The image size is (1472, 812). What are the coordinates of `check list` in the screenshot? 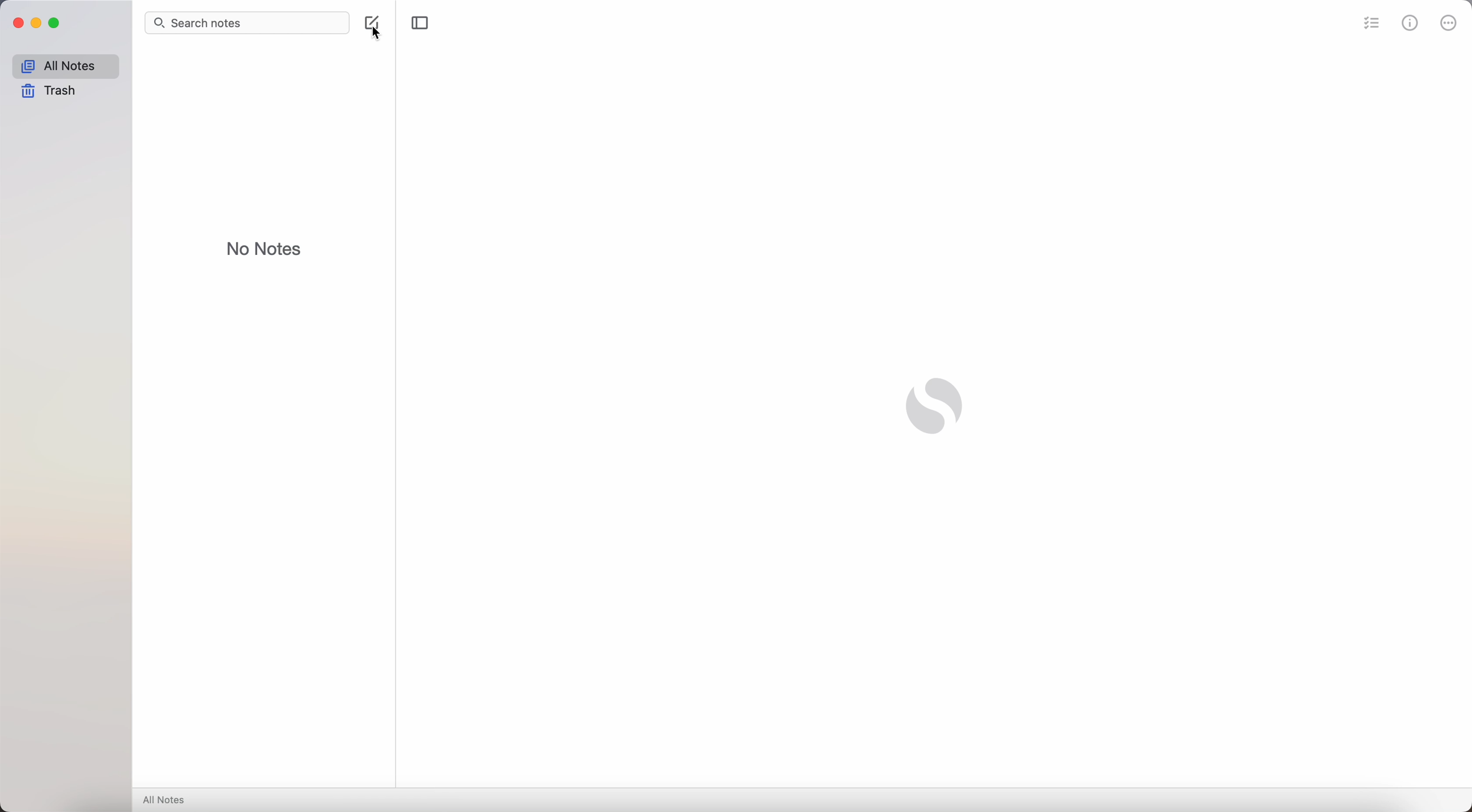 It's located at (1372, 26).